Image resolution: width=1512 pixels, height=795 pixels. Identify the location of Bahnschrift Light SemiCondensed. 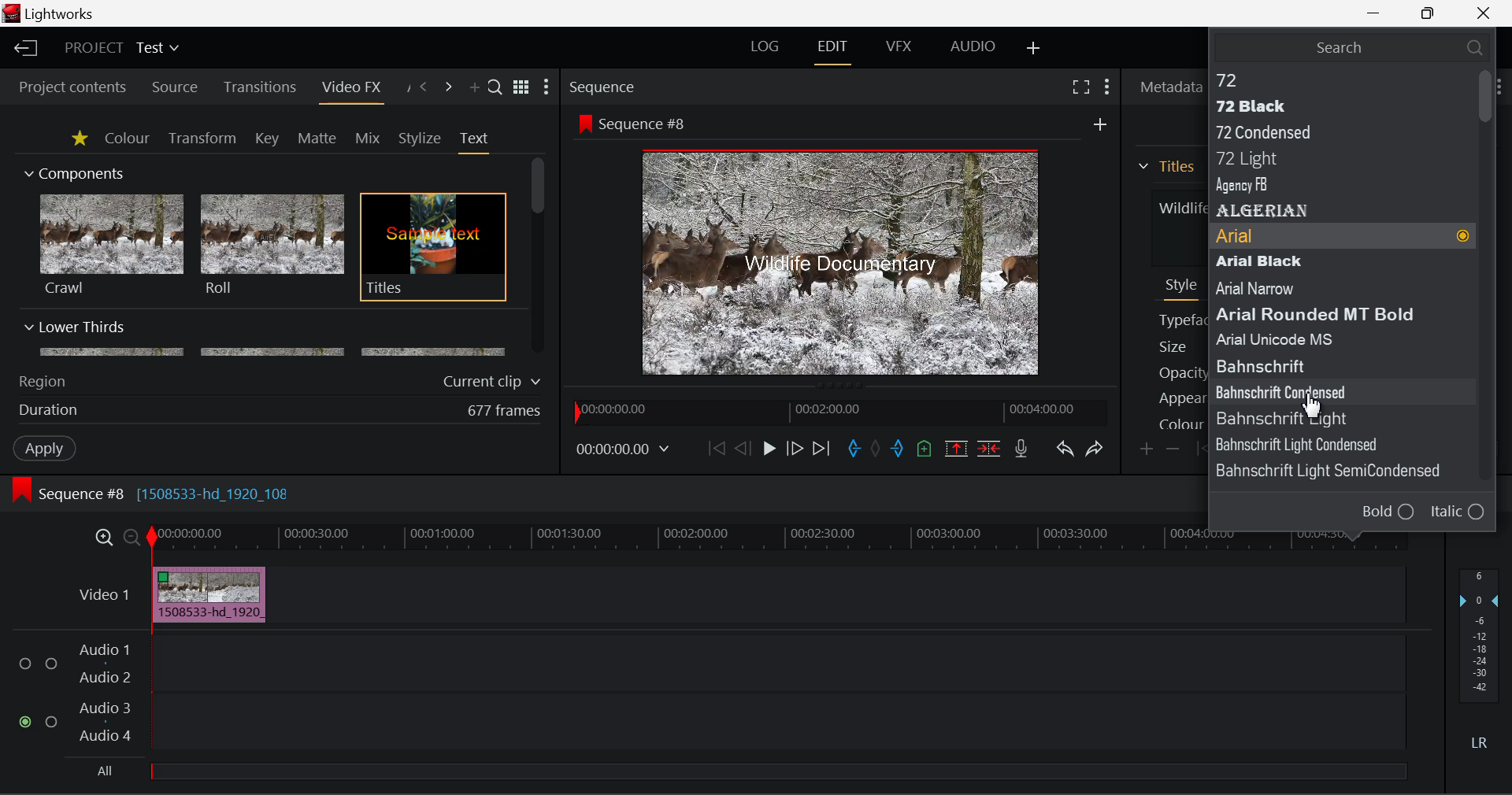
(1336, 471).